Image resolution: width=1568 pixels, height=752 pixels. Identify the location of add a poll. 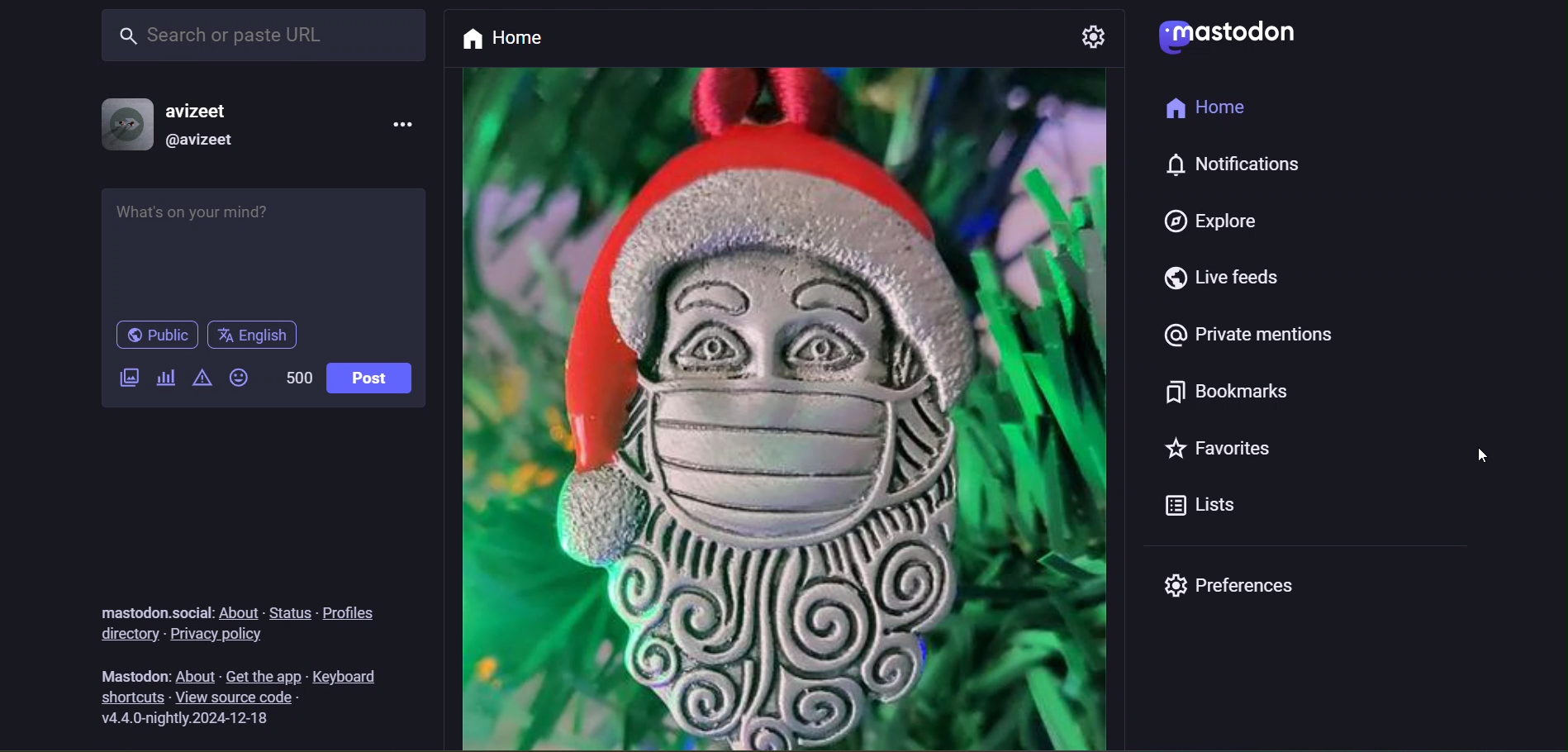
(164, 373).